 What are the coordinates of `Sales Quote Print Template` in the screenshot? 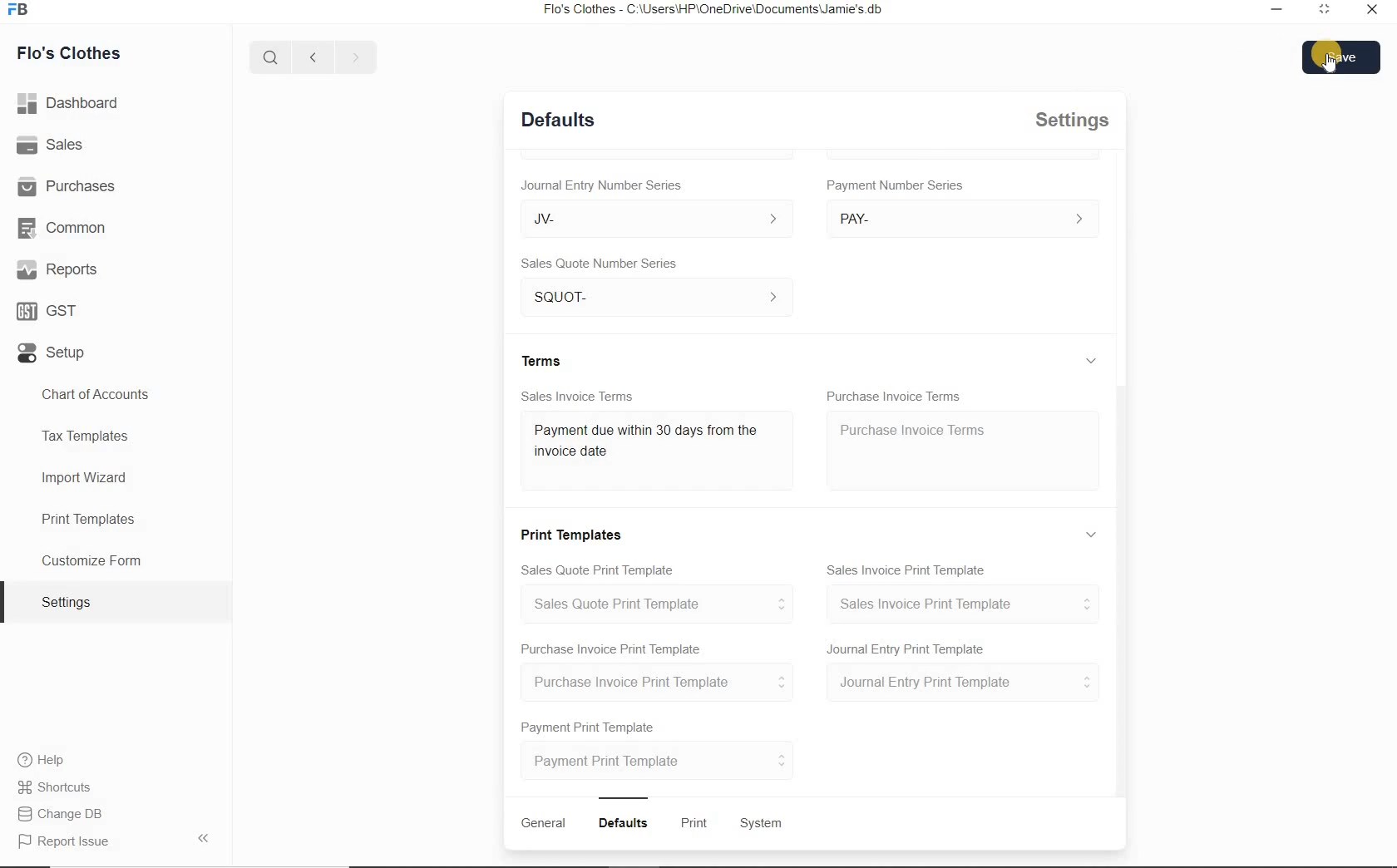 It's located at (595, 570).